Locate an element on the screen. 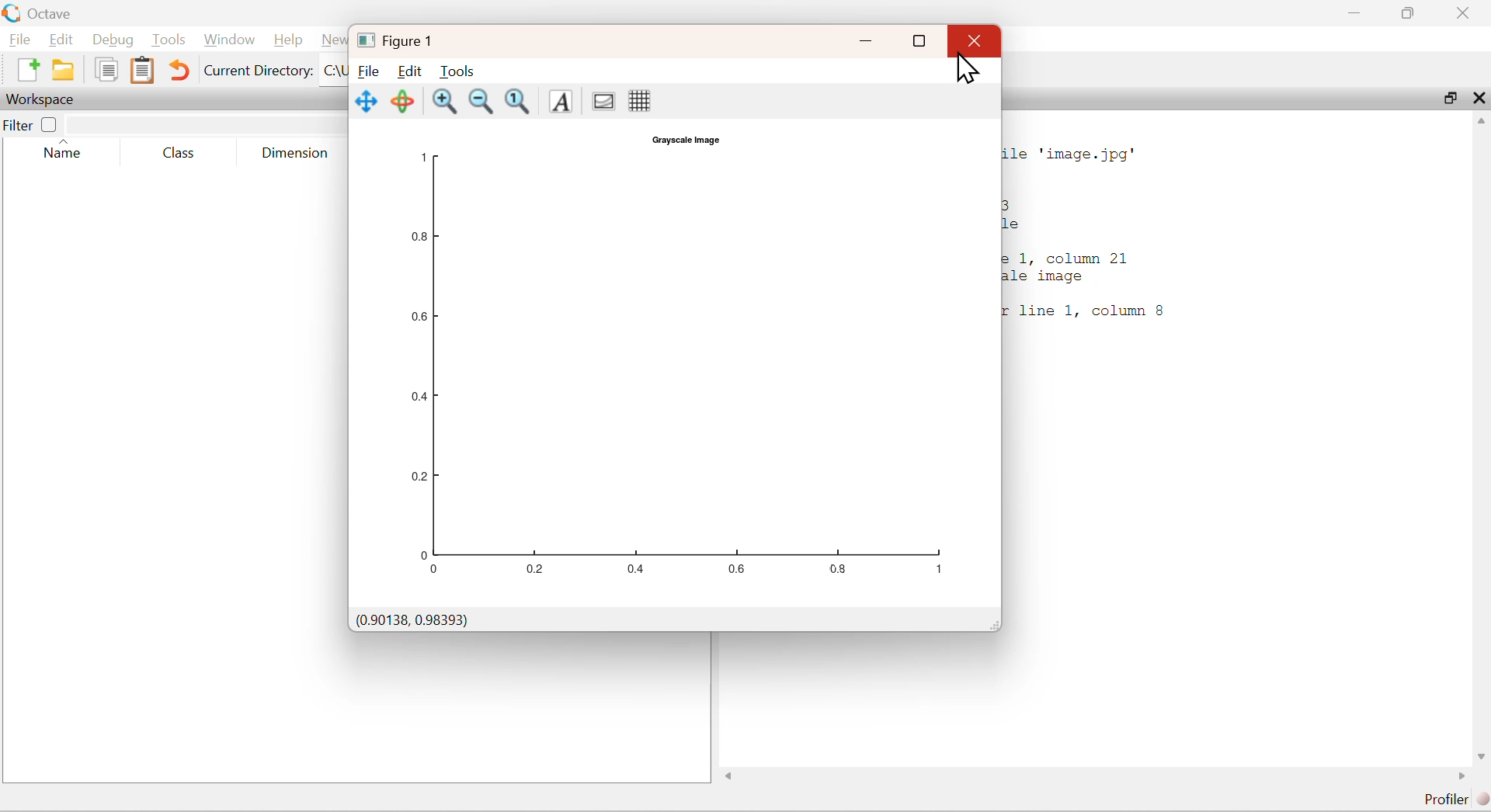  Close is located at coordinates (1462, 12).